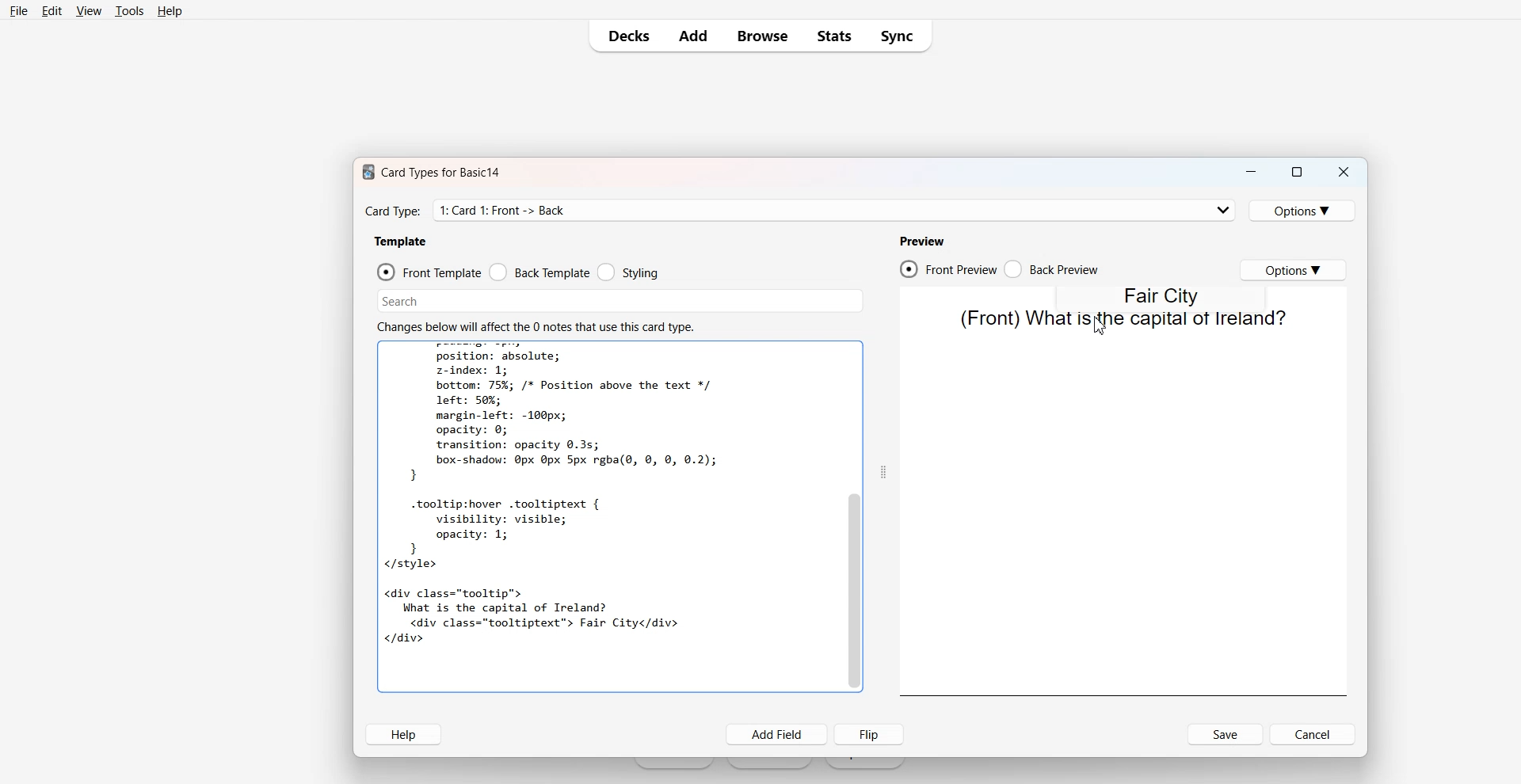 The height and width of the screenshot is (784, 1521). I want to click on Template, so click(402, 242).